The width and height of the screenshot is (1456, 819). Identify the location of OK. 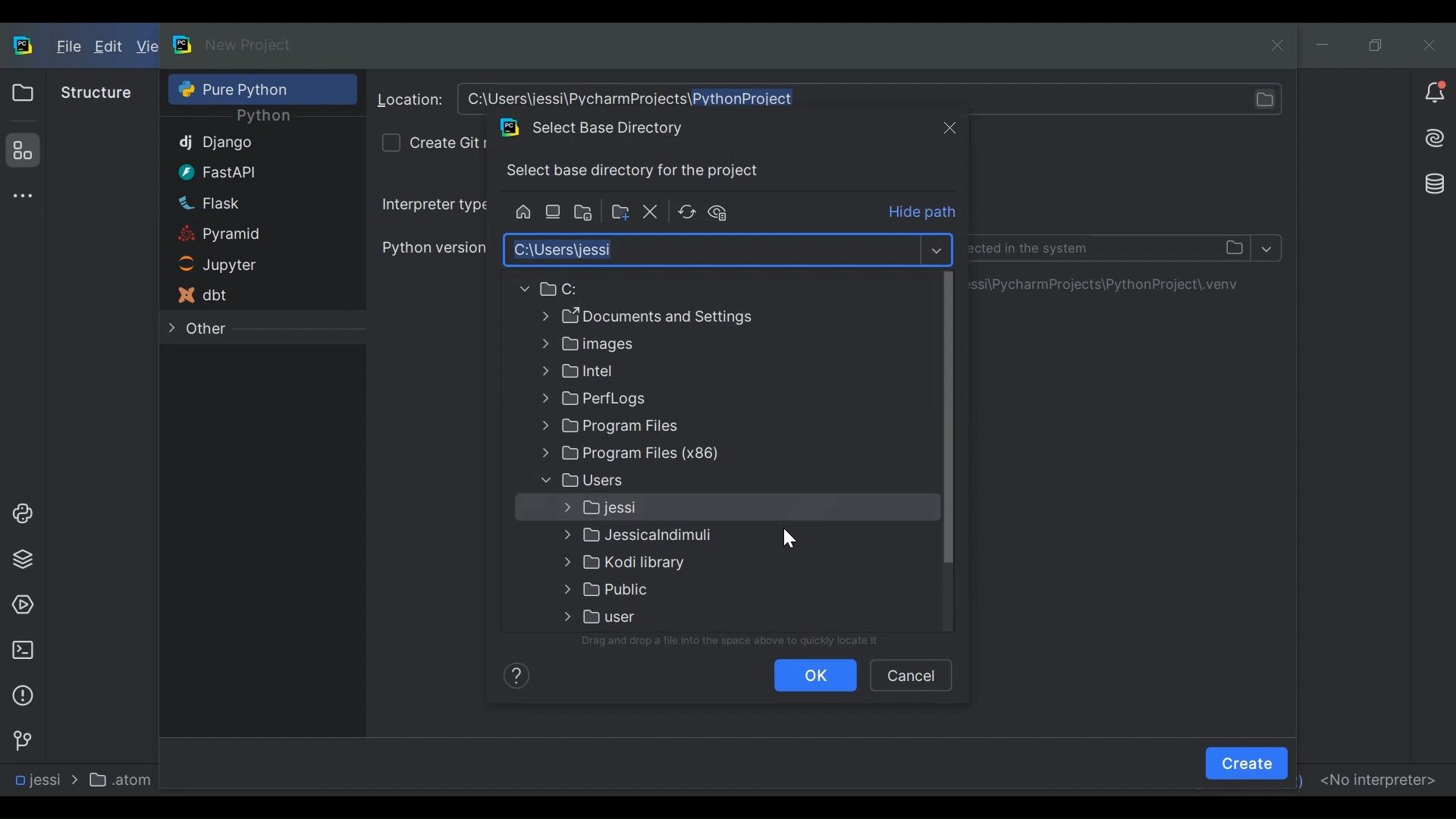
(816, 675).